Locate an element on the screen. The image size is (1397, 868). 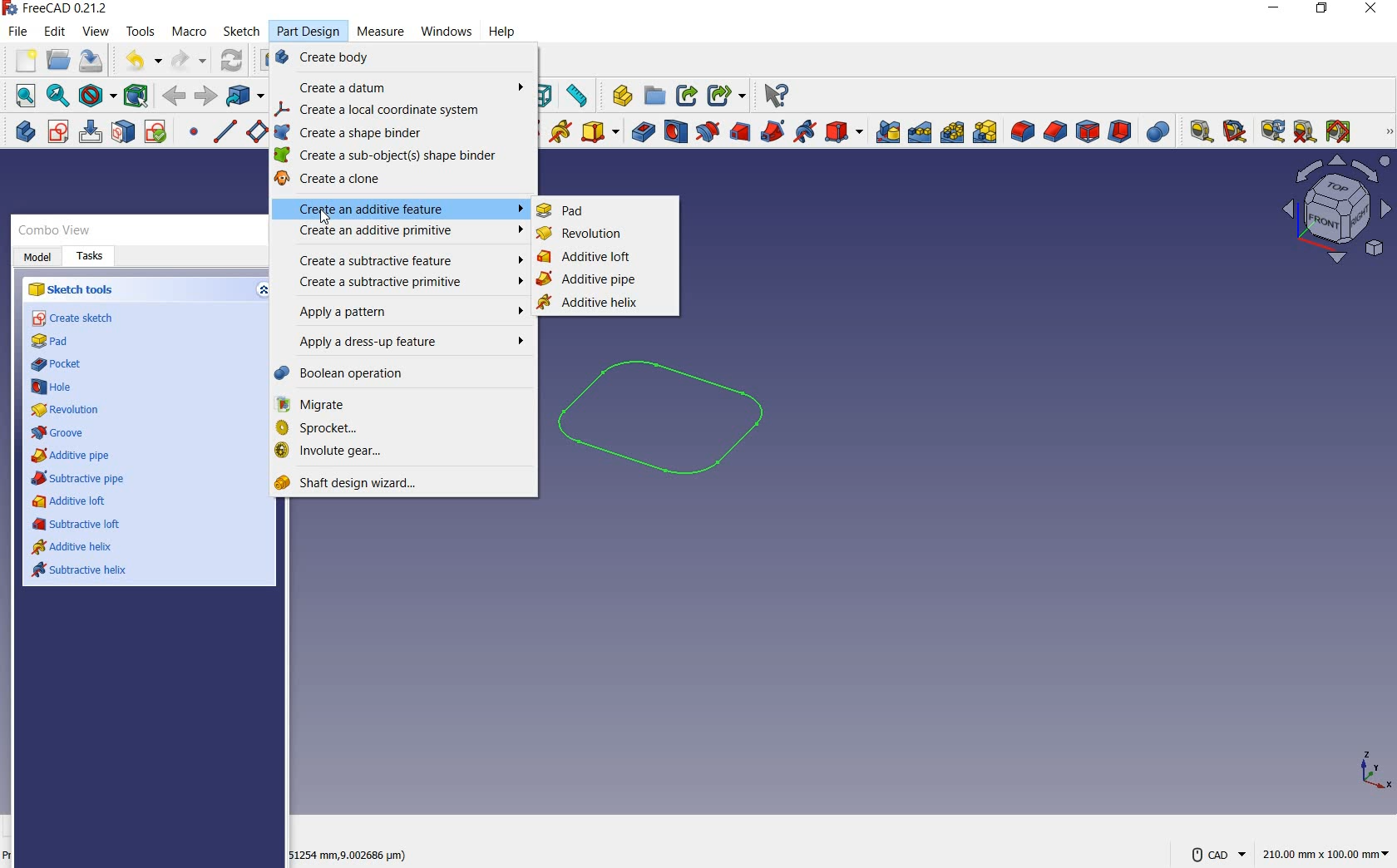
create sketch is located at coordinates (74, 318).